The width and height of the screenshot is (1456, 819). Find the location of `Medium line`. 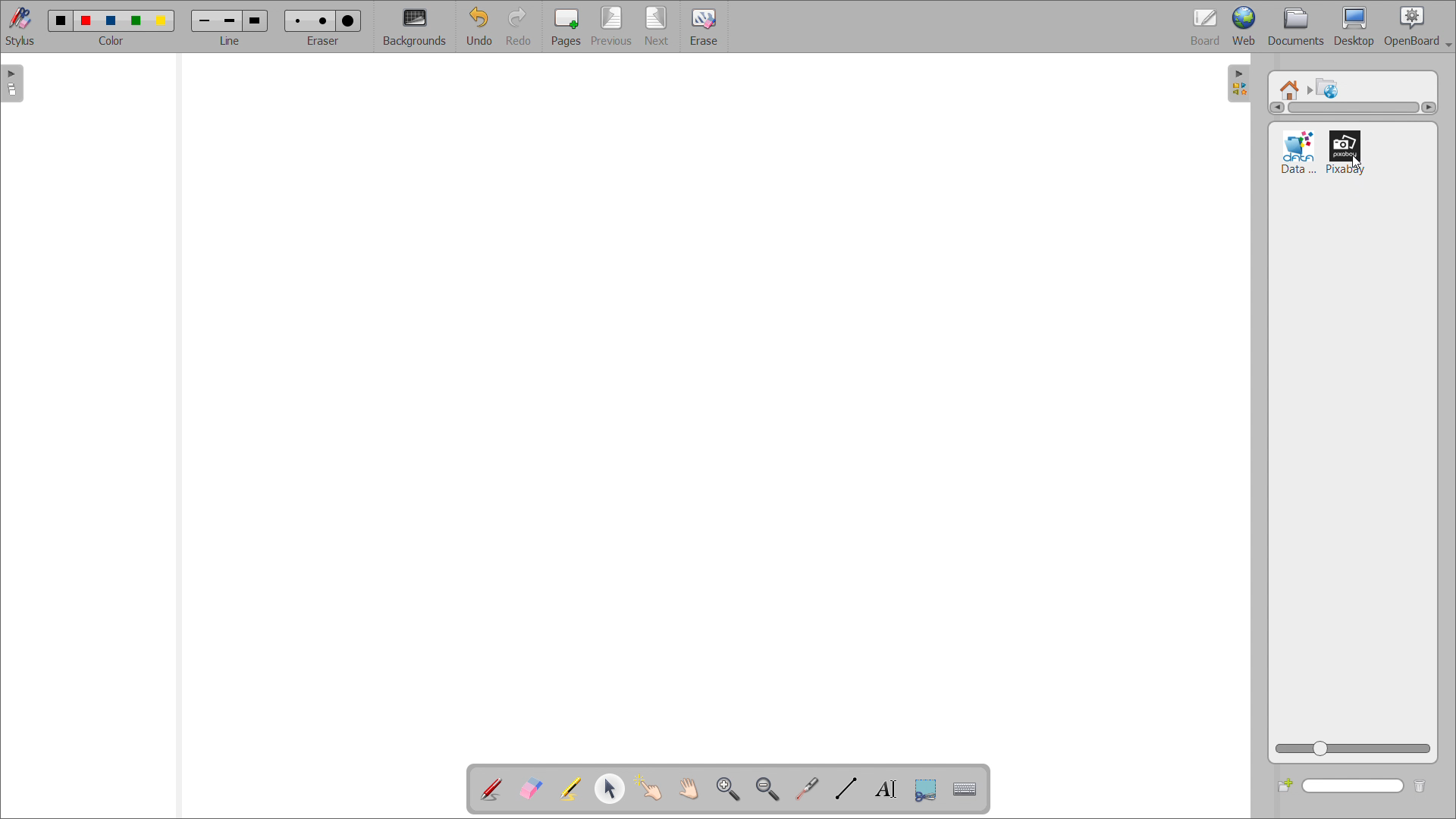

Medium line is located at coordinates (231, 20).